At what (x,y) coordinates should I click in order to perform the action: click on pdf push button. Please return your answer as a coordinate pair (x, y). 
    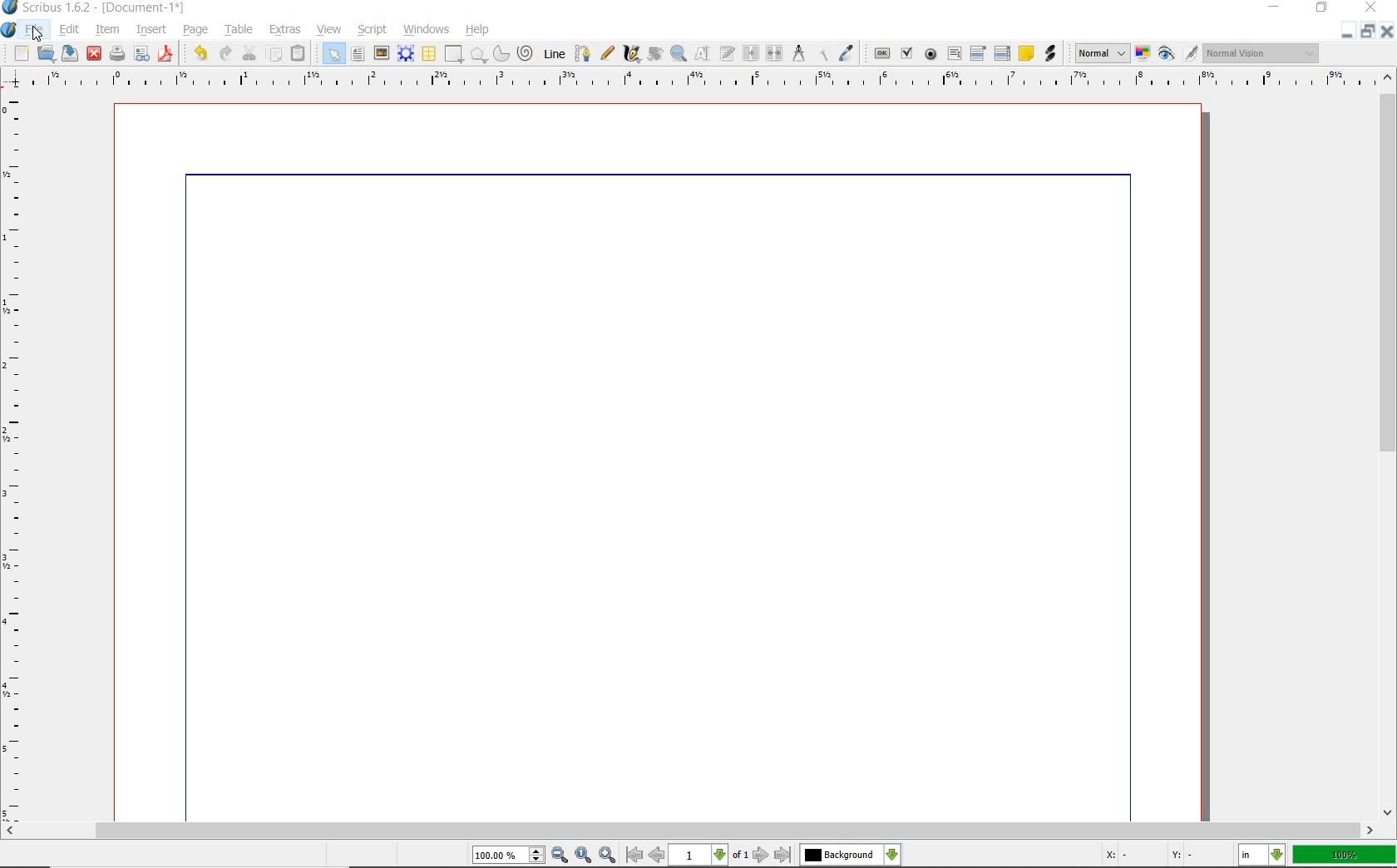
    Looking at the image, I should click on (881, 53).